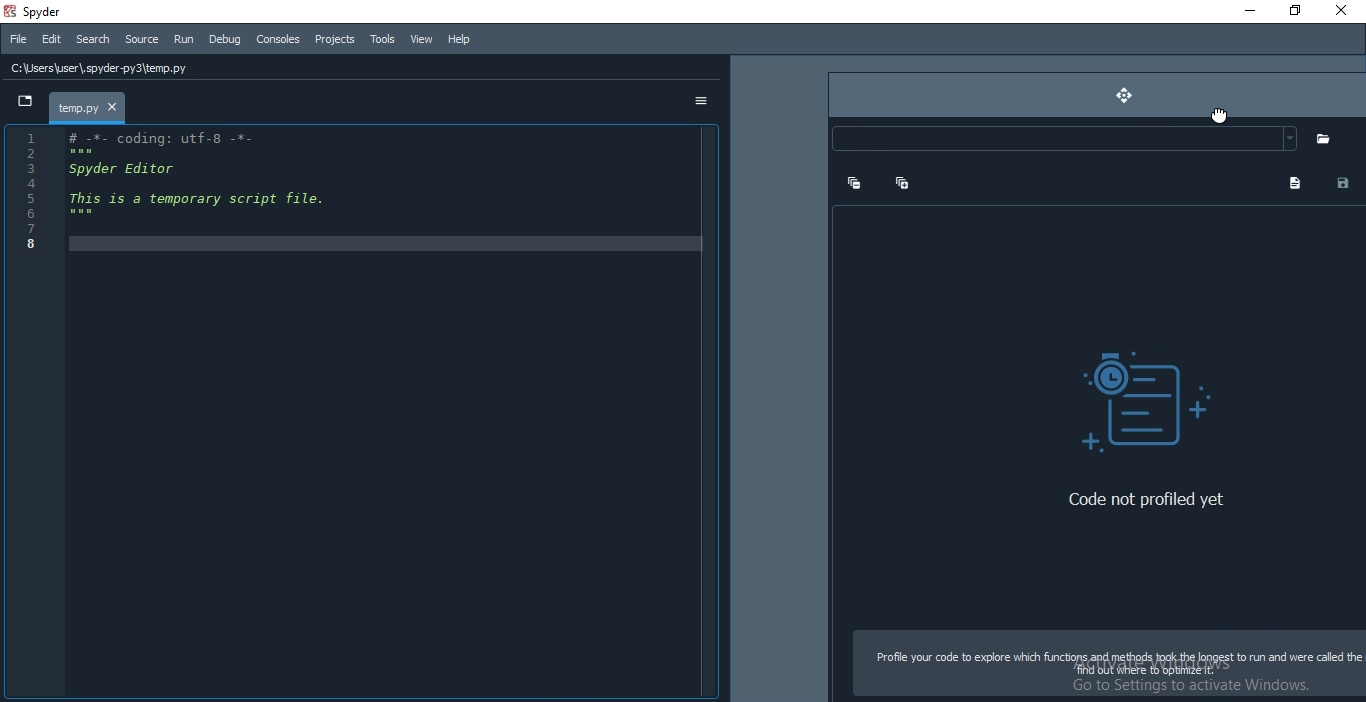 Image resolution: width=1366 pixels, height=702 pixels. What do you see at coordinates (142, 40) in the screenshot?
I see `Source` at bounding box center [142, 40].